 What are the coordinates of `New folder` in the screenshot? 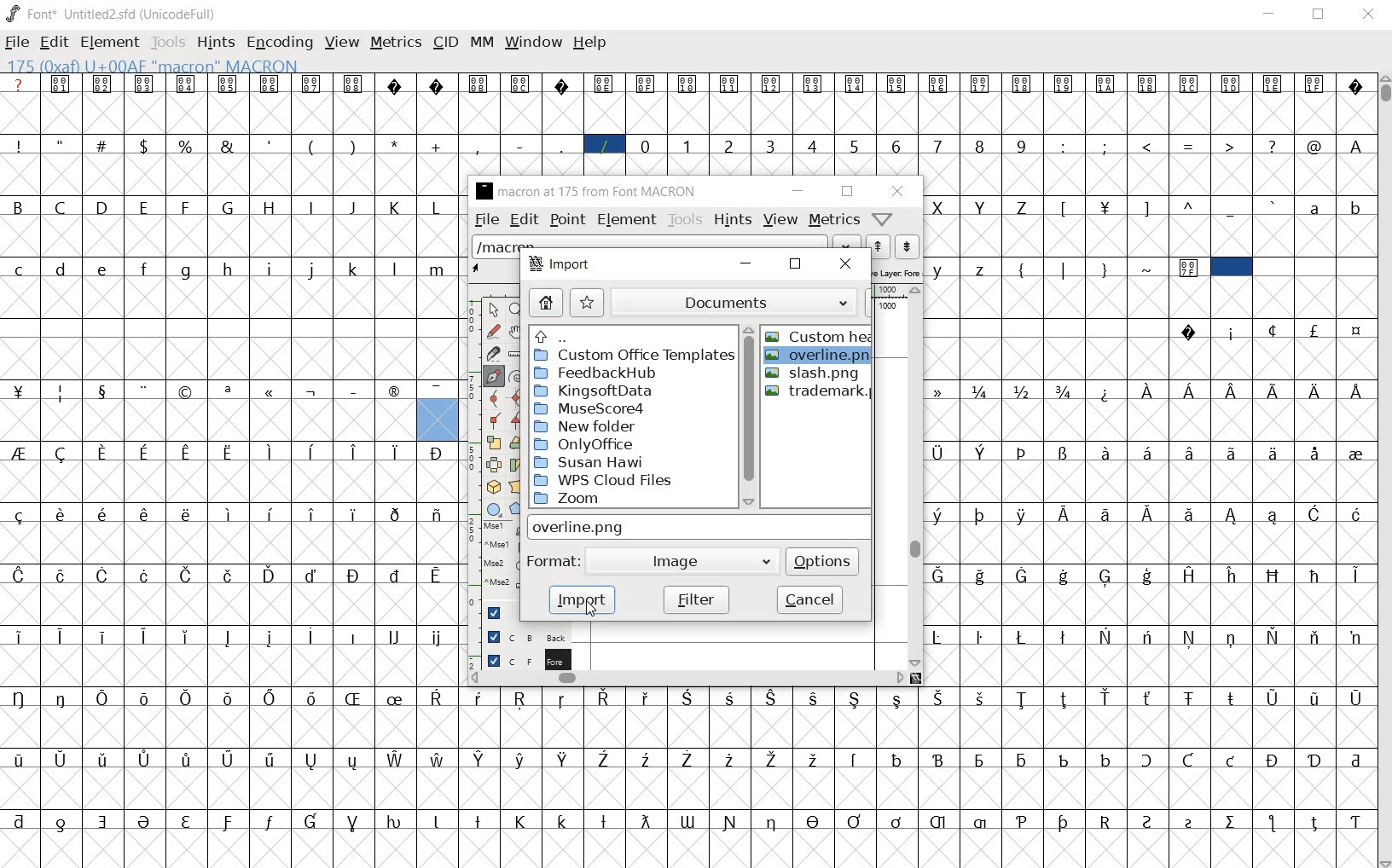 It's located at (631, 426).